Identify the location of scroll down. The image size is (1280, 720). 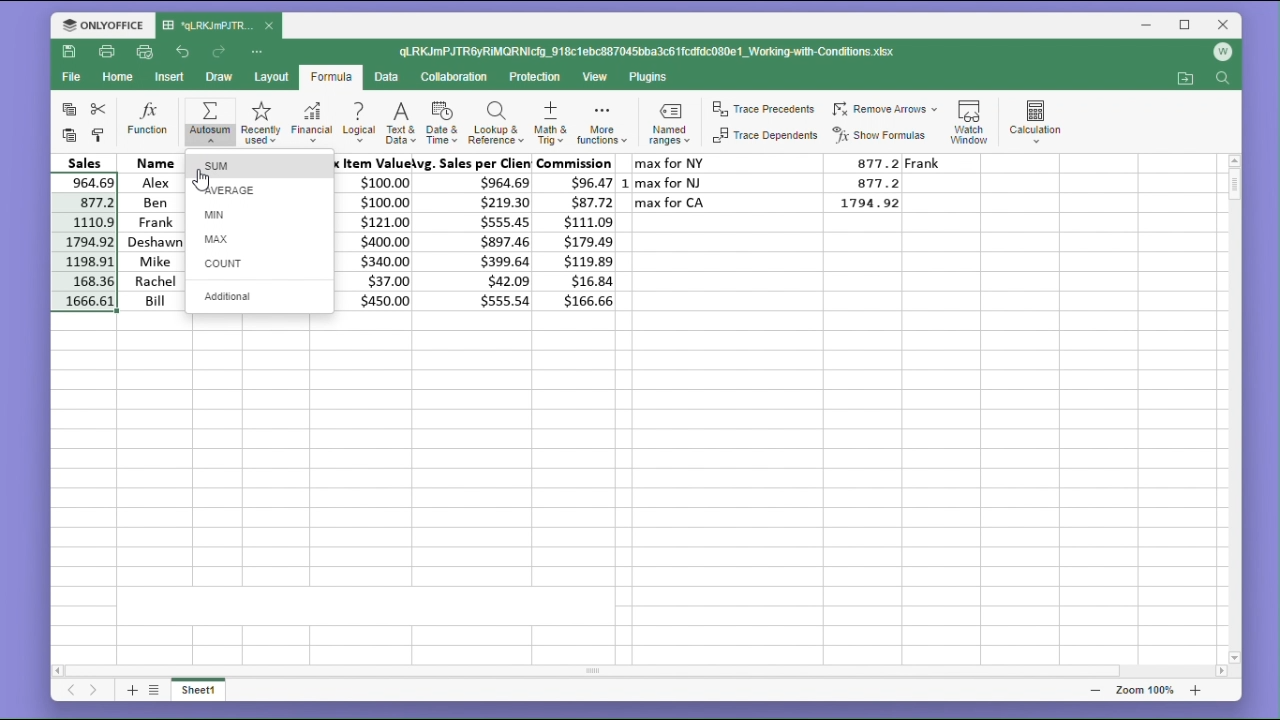
(1235, 657).